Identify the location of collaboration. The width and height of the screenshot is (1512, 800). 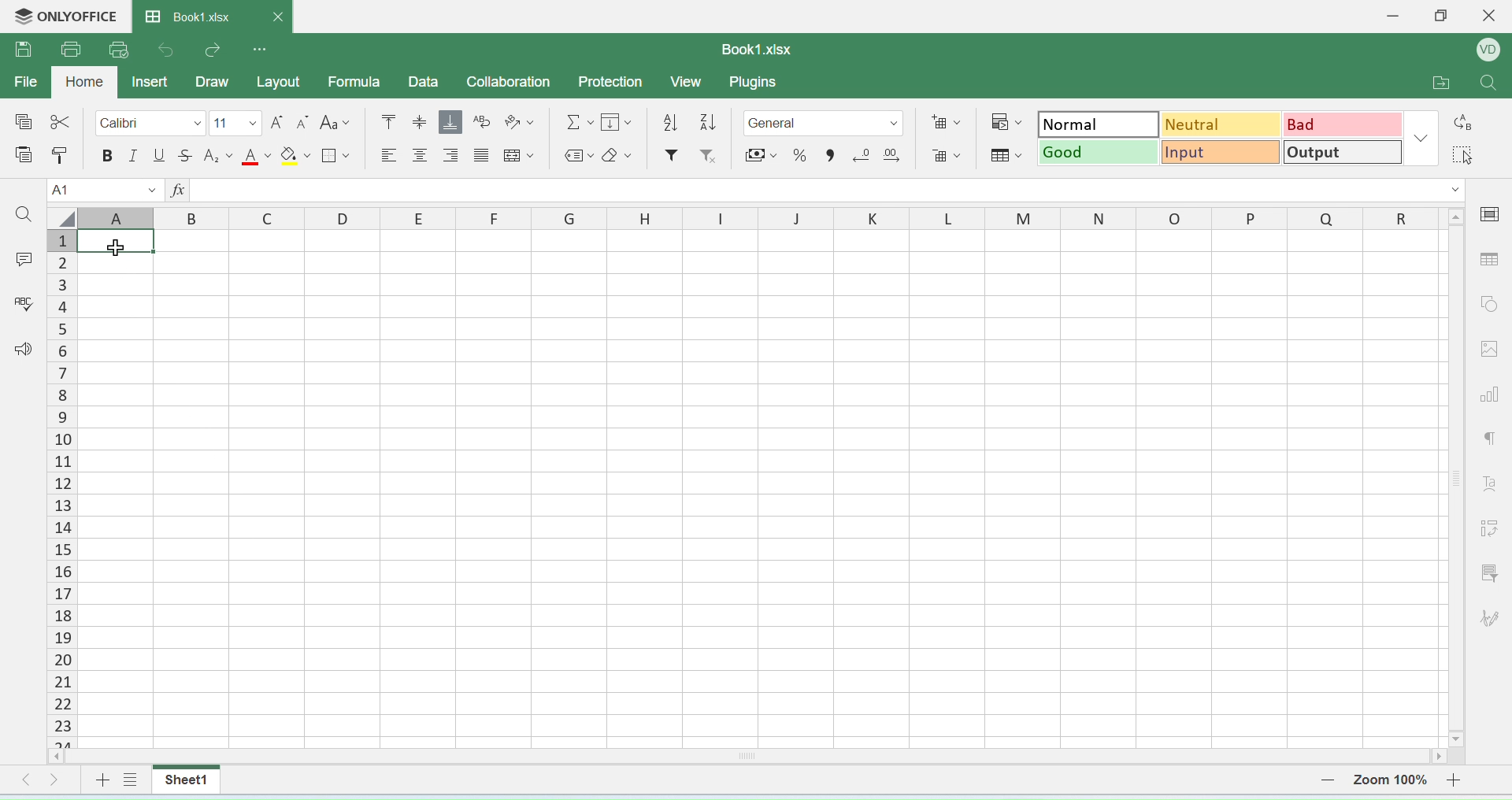
(511, 83).